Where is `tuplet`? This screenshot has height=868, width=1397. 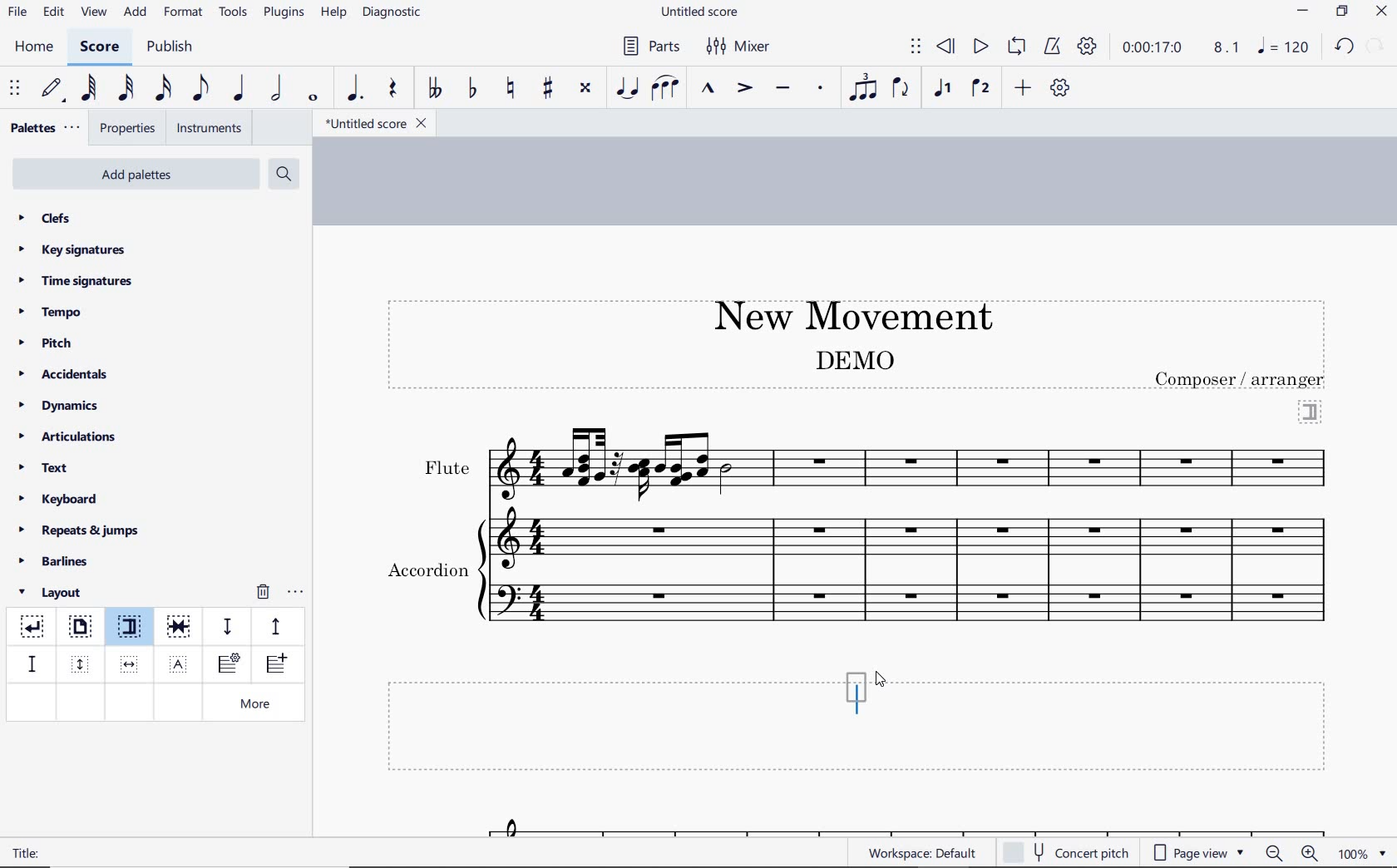 tuplet is located at coordinates (860, 87).